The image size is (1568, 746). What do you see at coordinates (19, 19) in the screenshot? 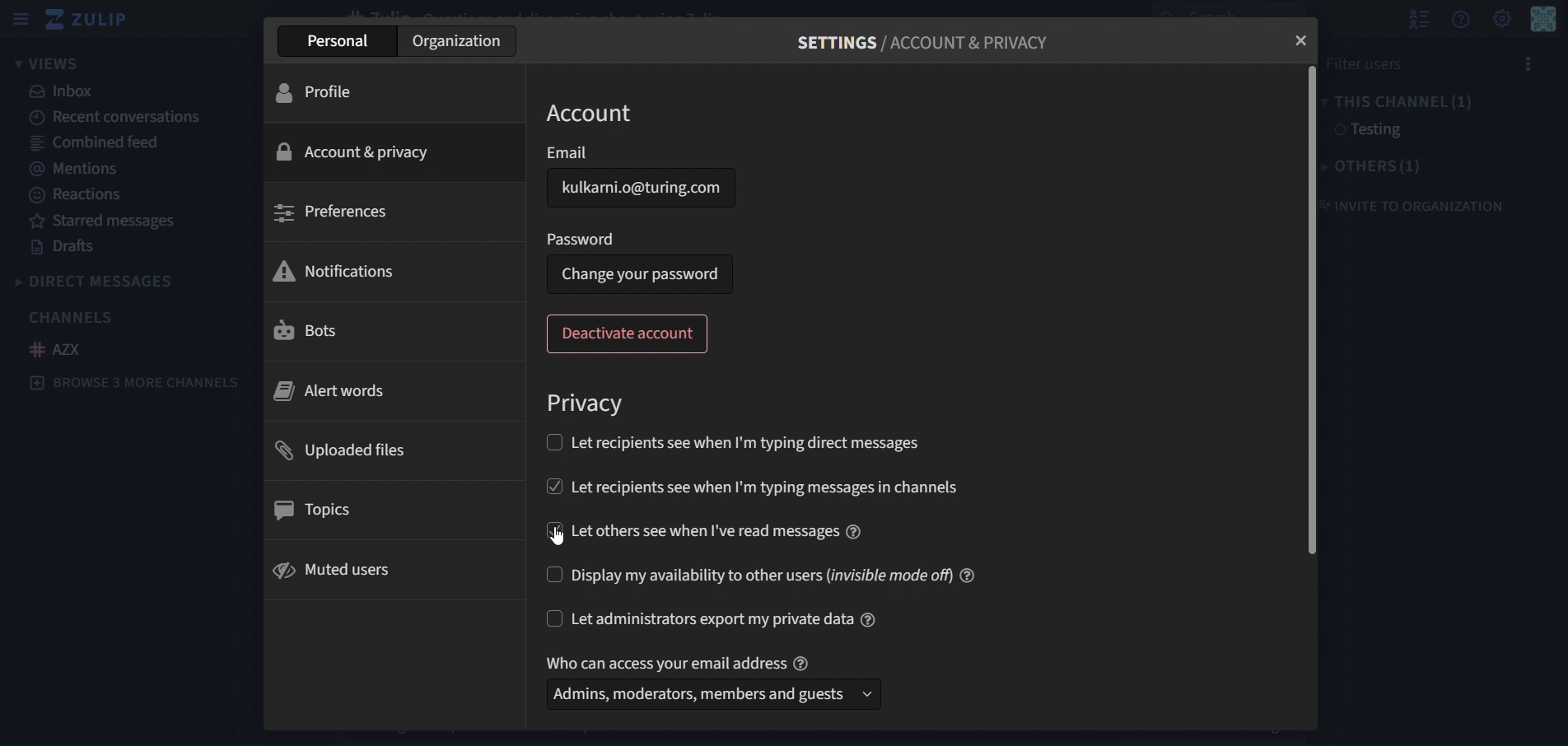
I see `side bar` at bounding box center [19, 19].